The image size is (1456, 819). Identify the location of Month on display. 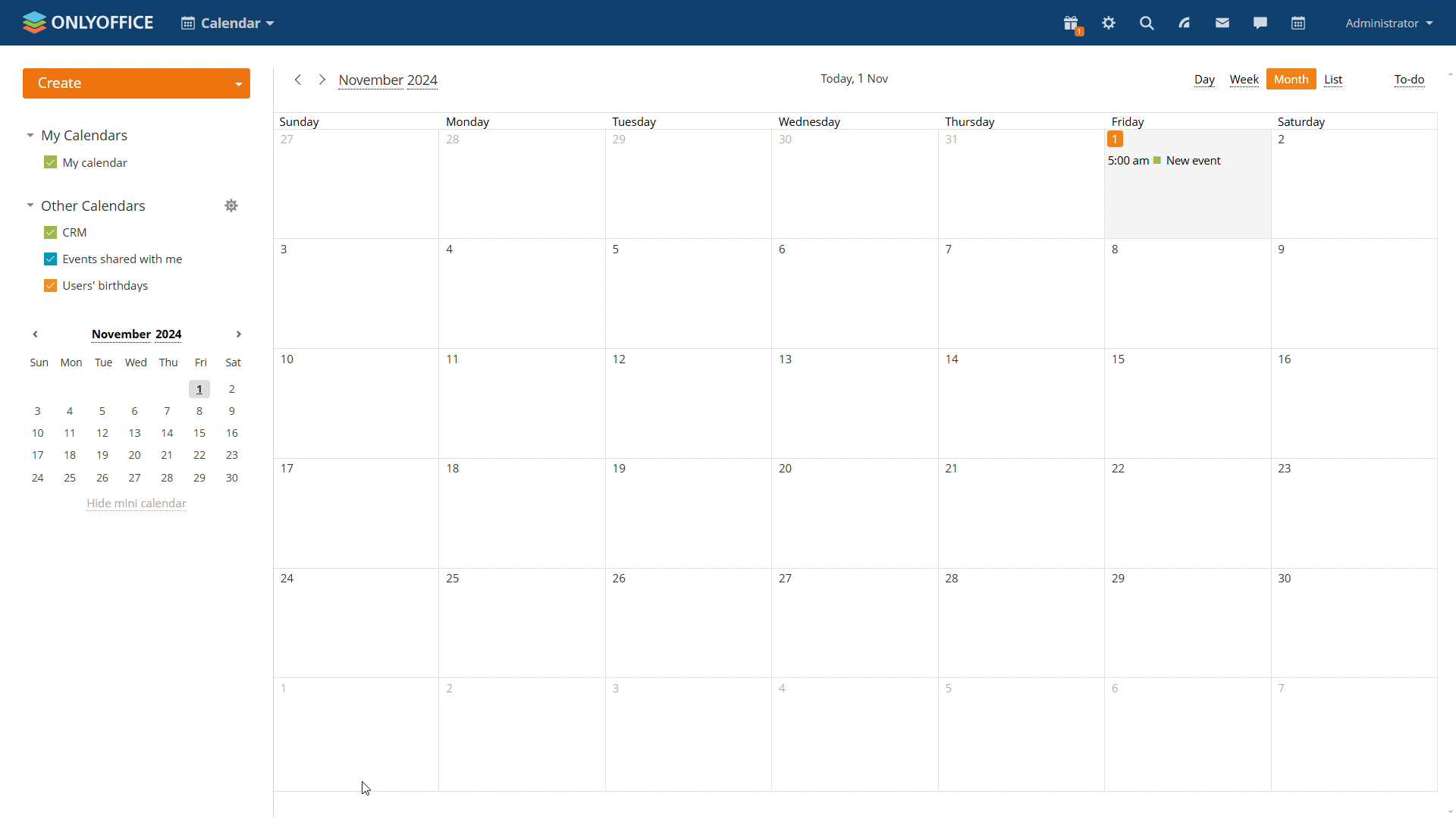
(135, 334).